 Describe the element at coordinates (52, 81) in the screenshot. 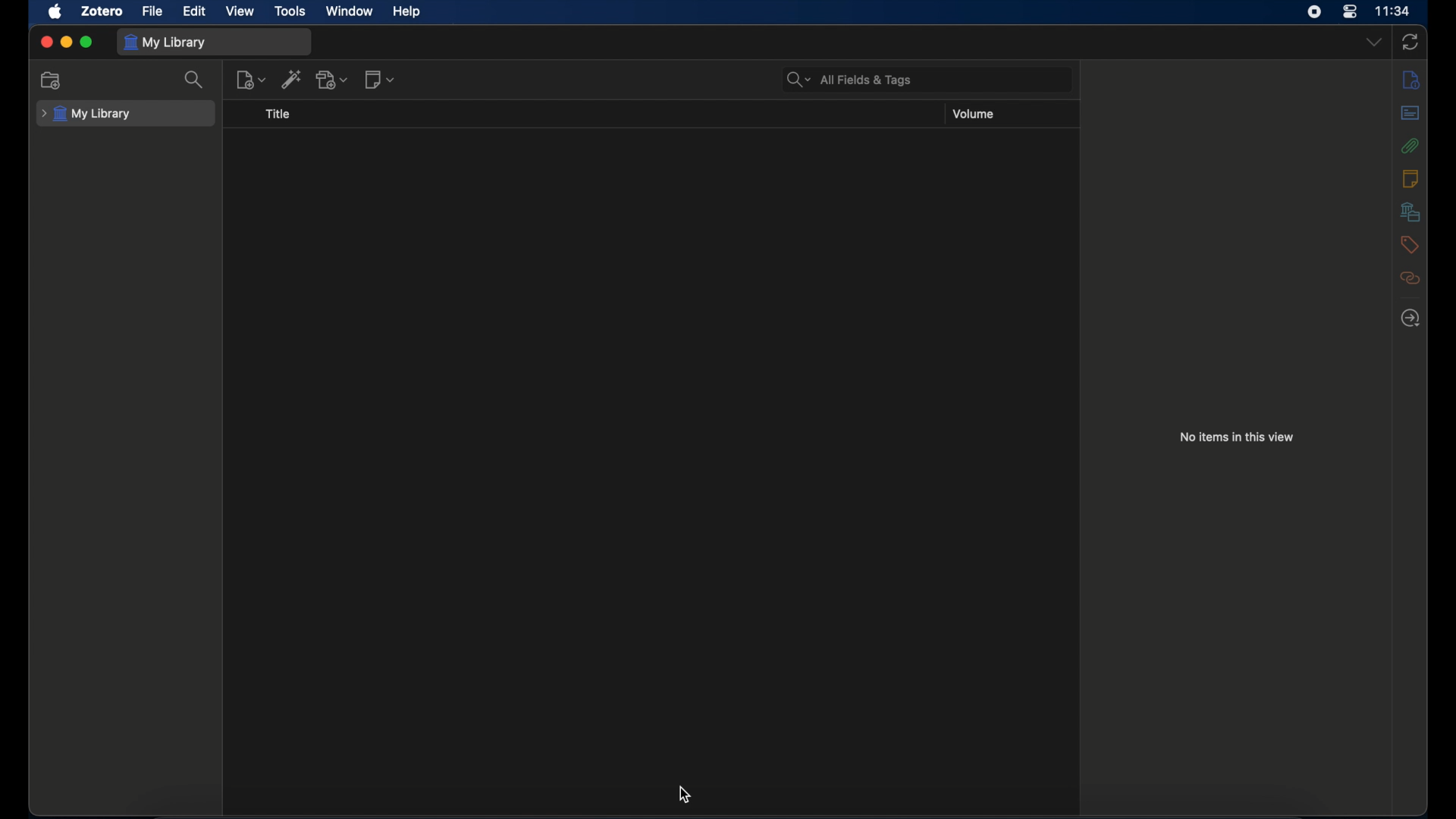

I see `new collection` at that location.